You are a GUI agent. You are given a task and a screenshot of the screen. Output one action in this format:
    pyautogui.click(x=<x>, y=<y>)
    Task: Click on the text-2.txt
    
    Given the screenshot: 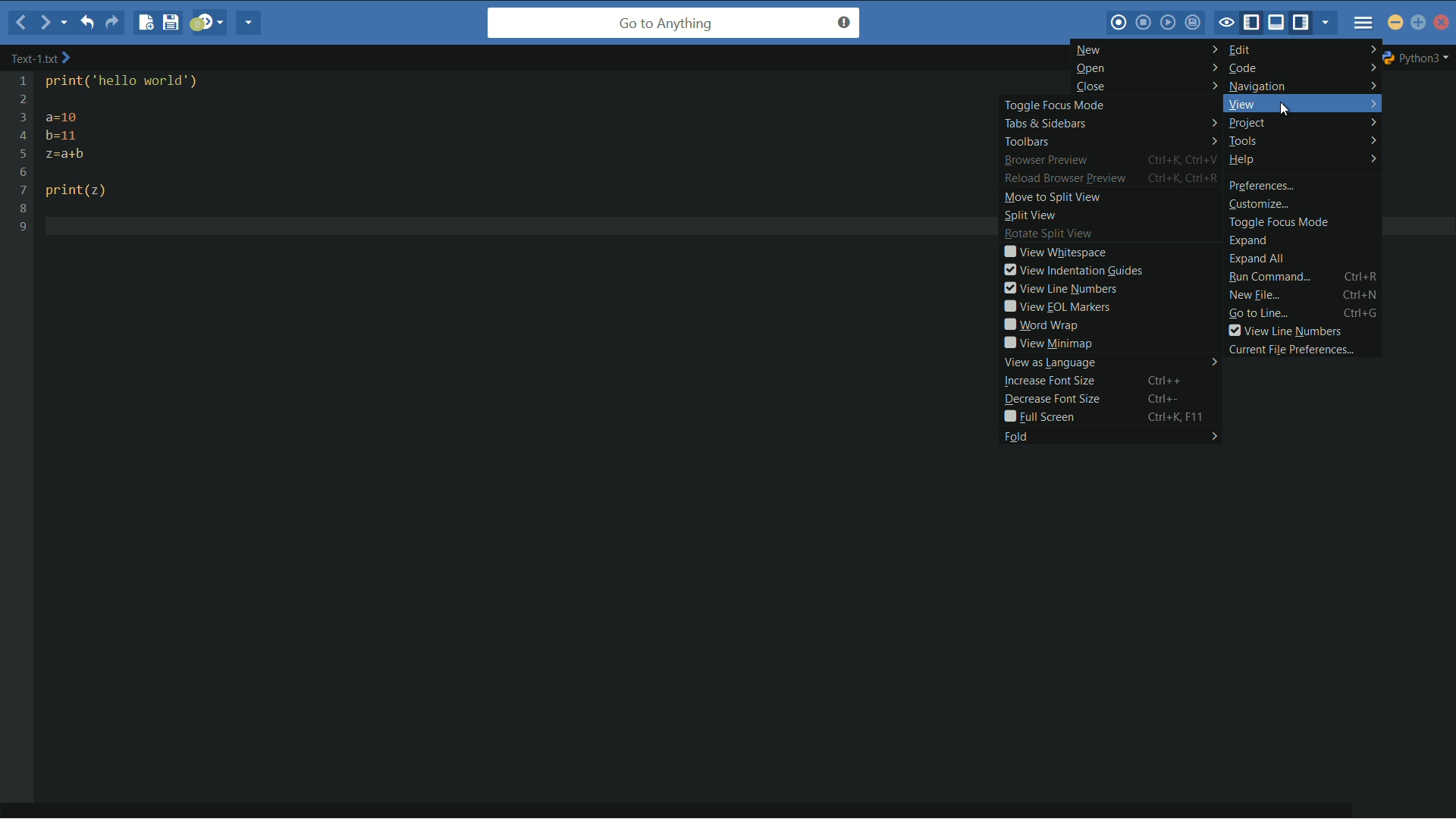 What is the action you would take?
    pyautogui.click(x=41, y=58)
    